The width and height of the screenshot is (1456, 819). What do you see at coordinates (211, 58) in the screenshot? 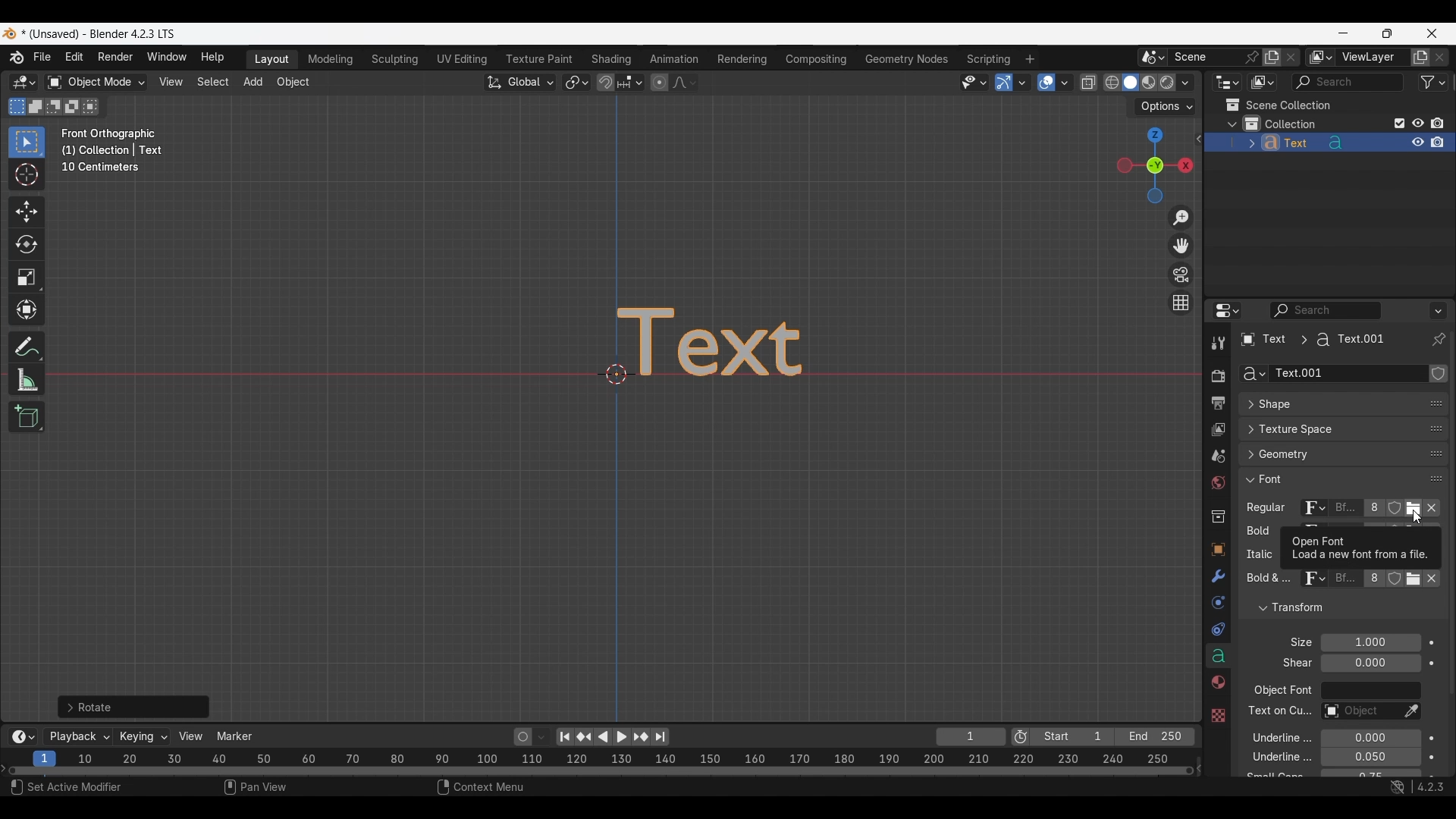
I see `Help menu` at bounding box center [211, 58].